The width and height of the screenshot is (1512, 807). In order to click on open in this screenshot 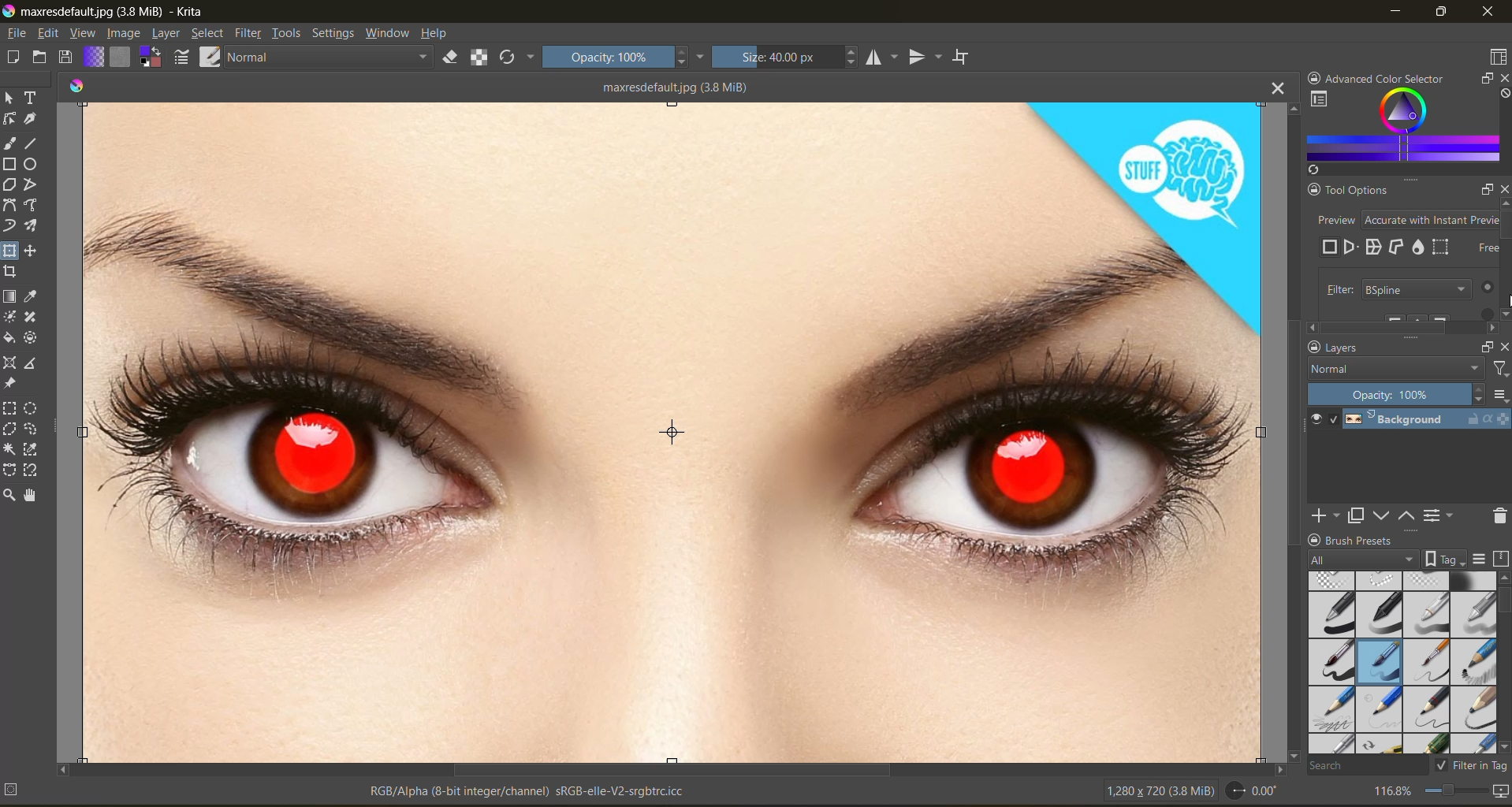, I will do `click(43, 59)`.